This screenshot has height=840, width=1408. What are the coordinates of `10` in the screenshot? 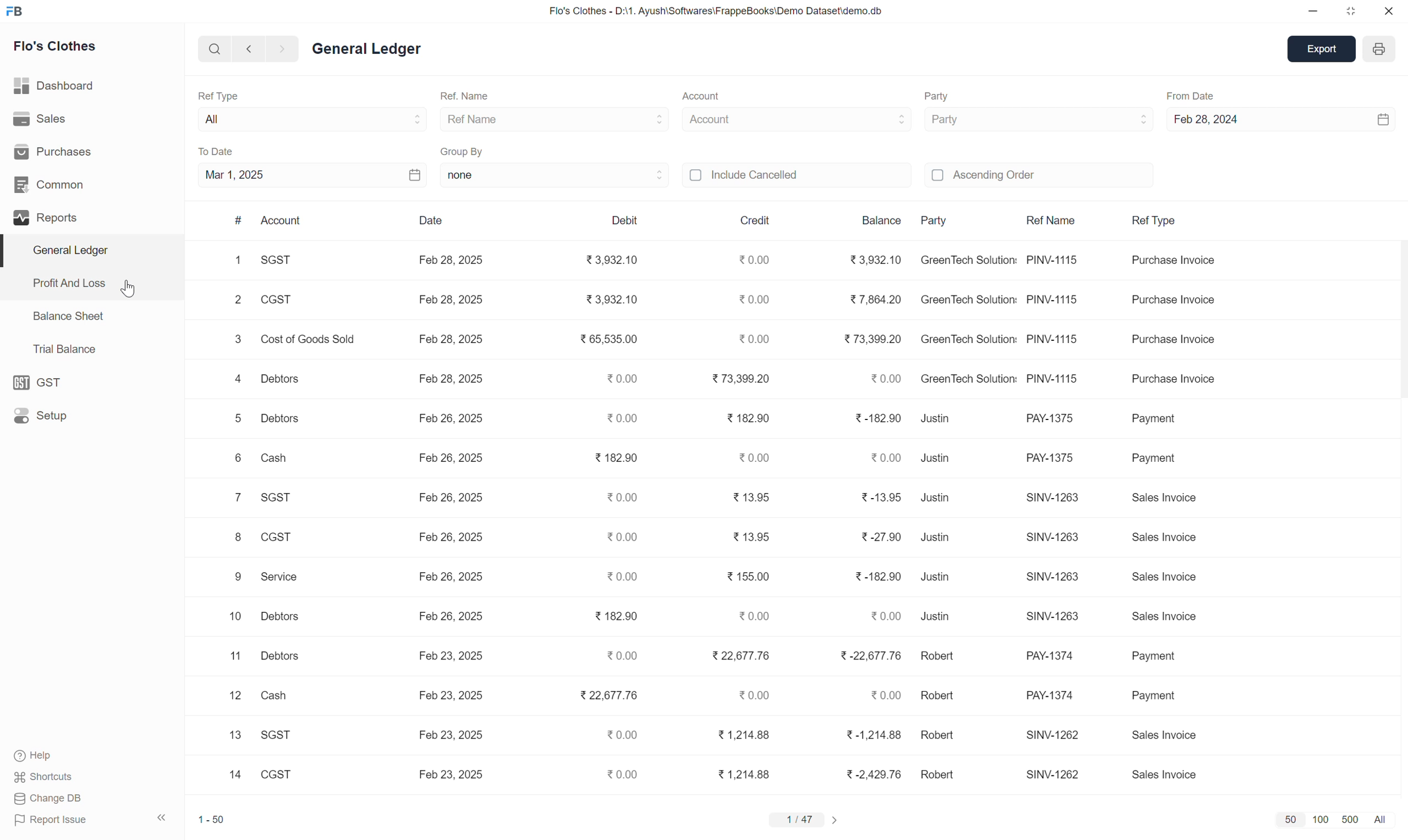 It's located at (232, 617).